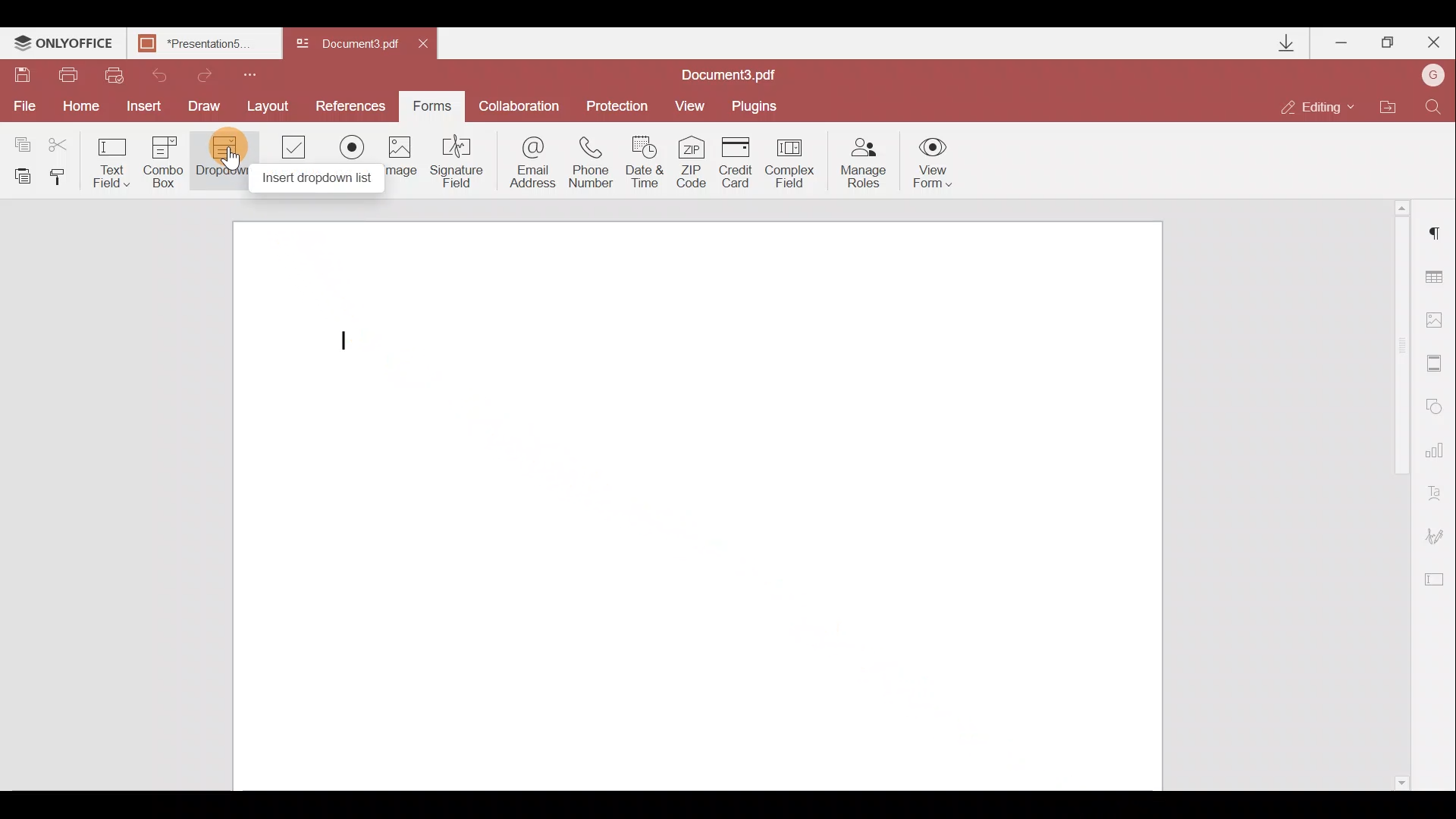 This screenshot has height=819, width=1456. Describe the element at coordinates (224, 158) in the screenshot. I see `Drop down` at that location.